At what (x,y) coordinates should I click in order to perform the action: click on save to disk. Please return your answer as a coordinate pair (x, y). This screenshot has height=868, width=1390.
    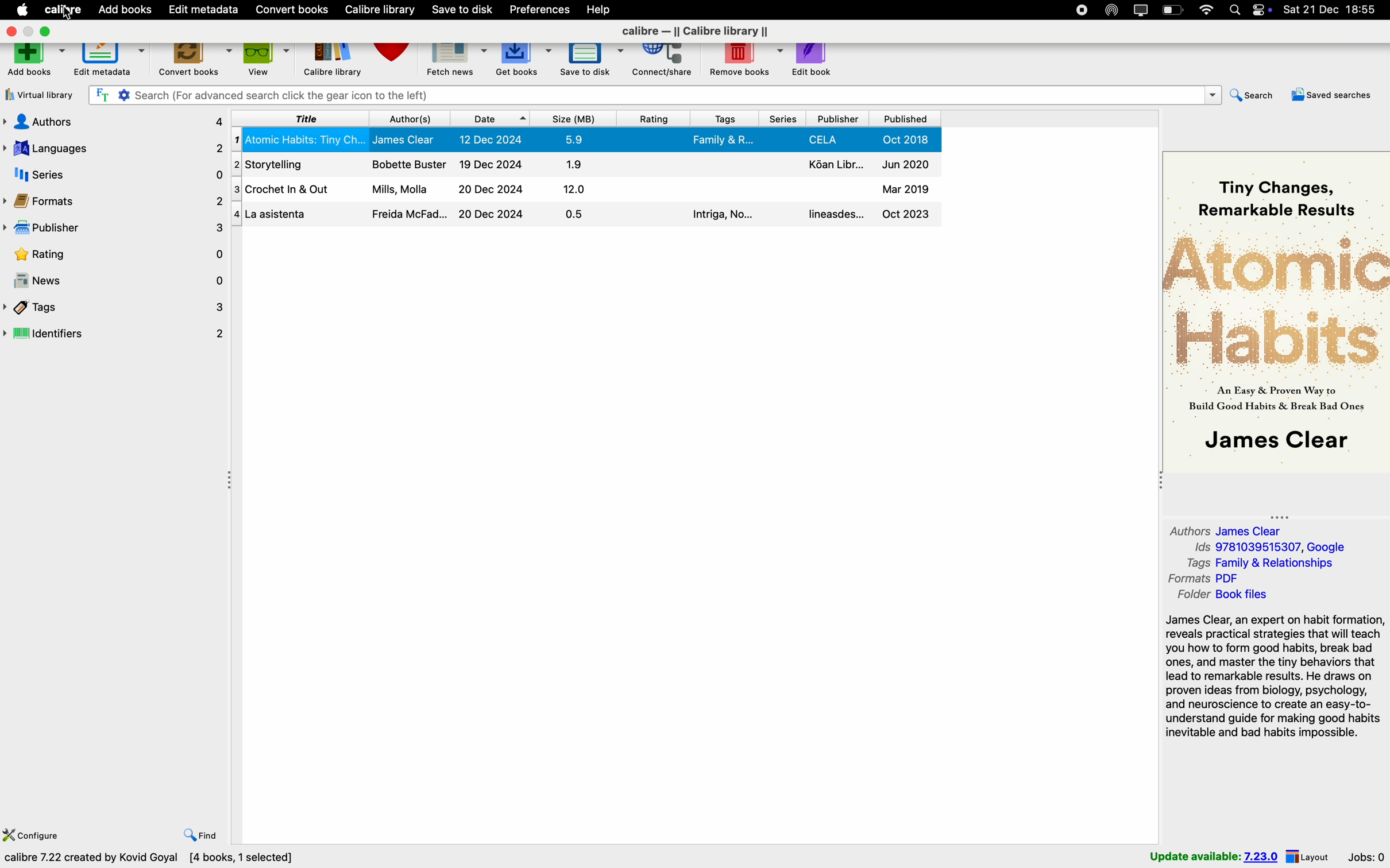
    Looking at the image, I should click on (592, 61).